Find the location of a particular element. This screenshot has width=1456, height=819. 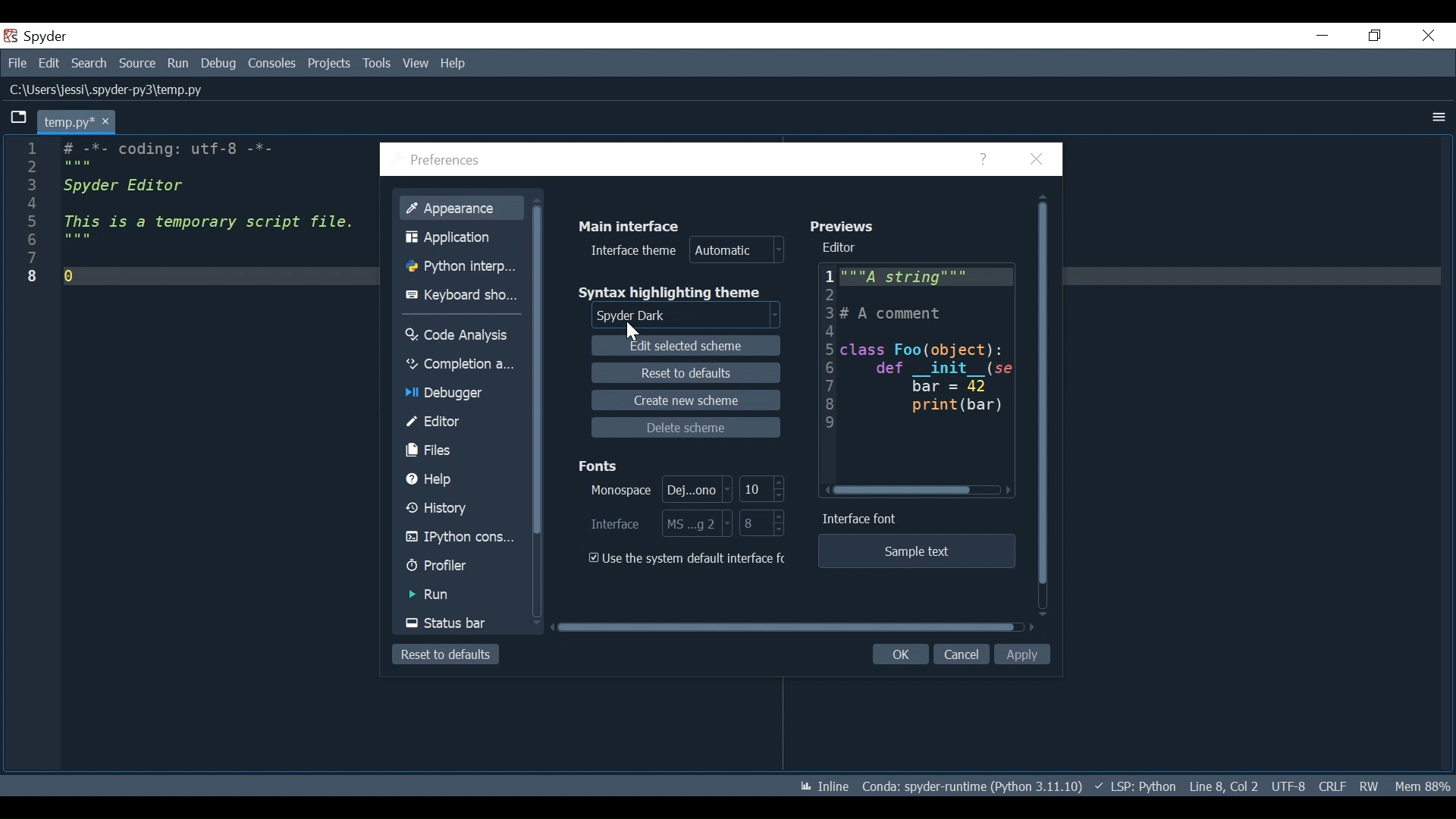

Cancel is located at coordinates (962, 654).